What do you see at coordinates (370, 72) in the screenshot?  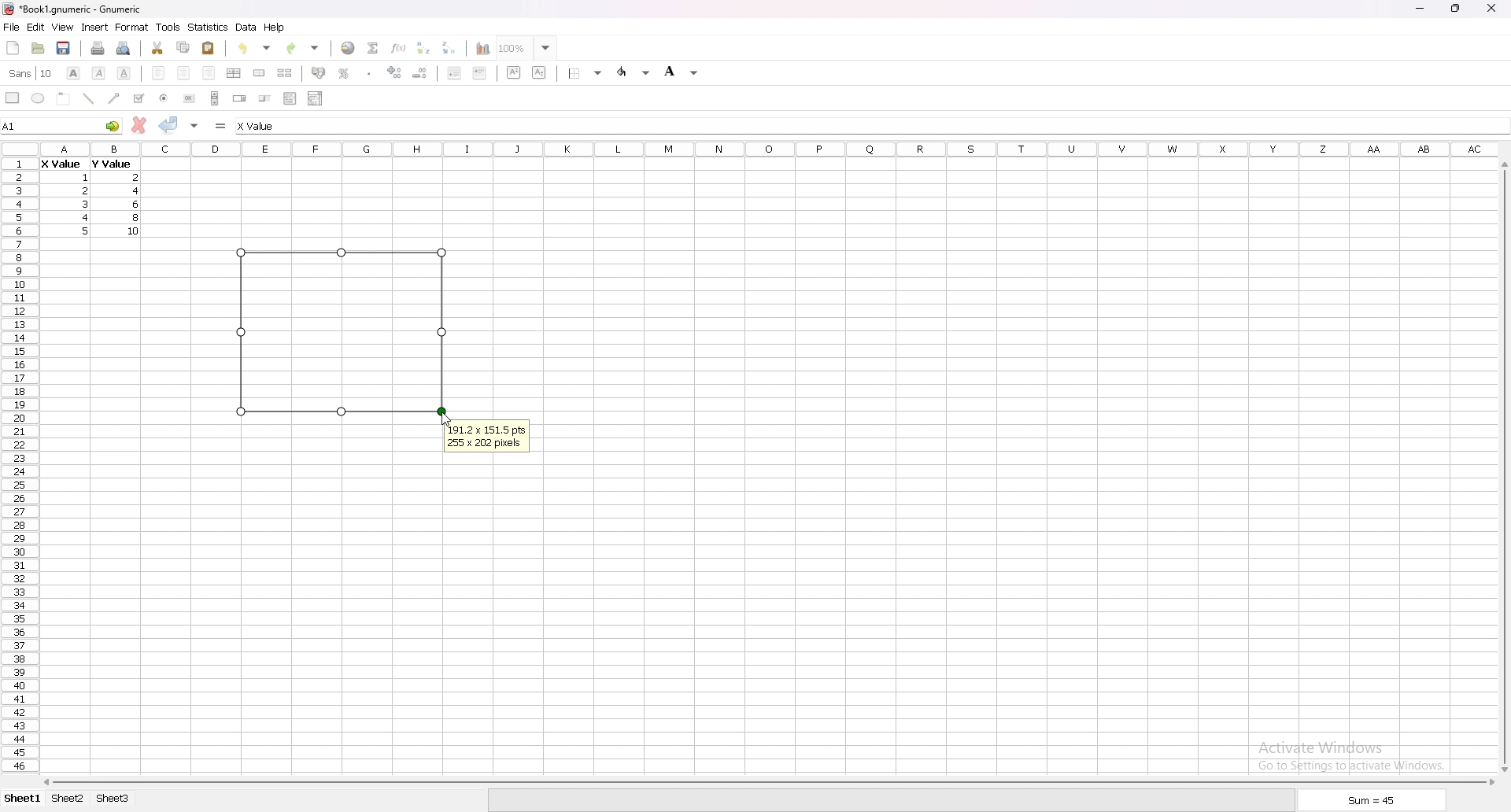 I see `thousands separator` at bounding box center [370, 72].